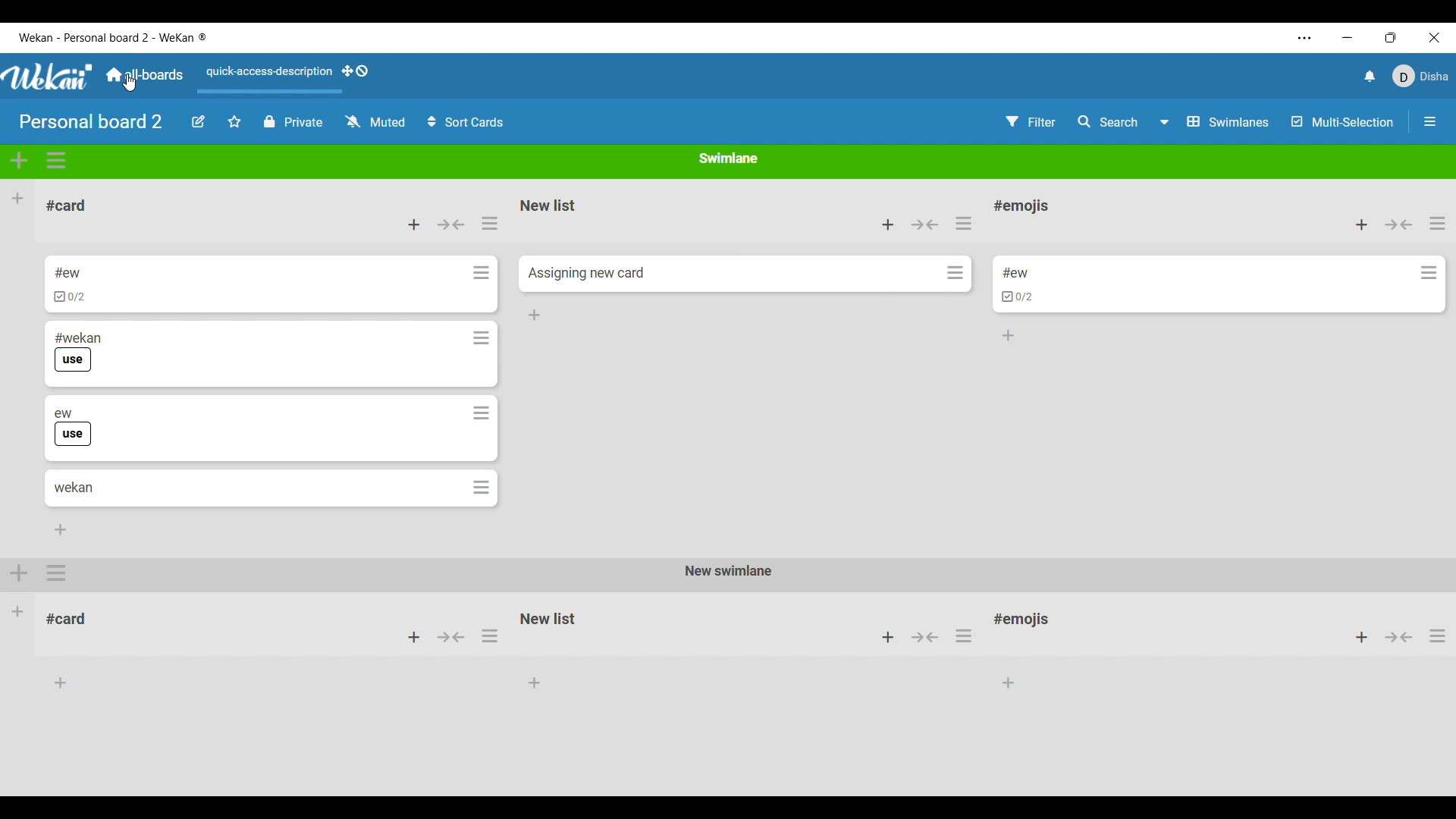  What do you see at coordinates (1435, 38) in the screenshot?
I see `Close interface` at bounding box center [1435, 38].